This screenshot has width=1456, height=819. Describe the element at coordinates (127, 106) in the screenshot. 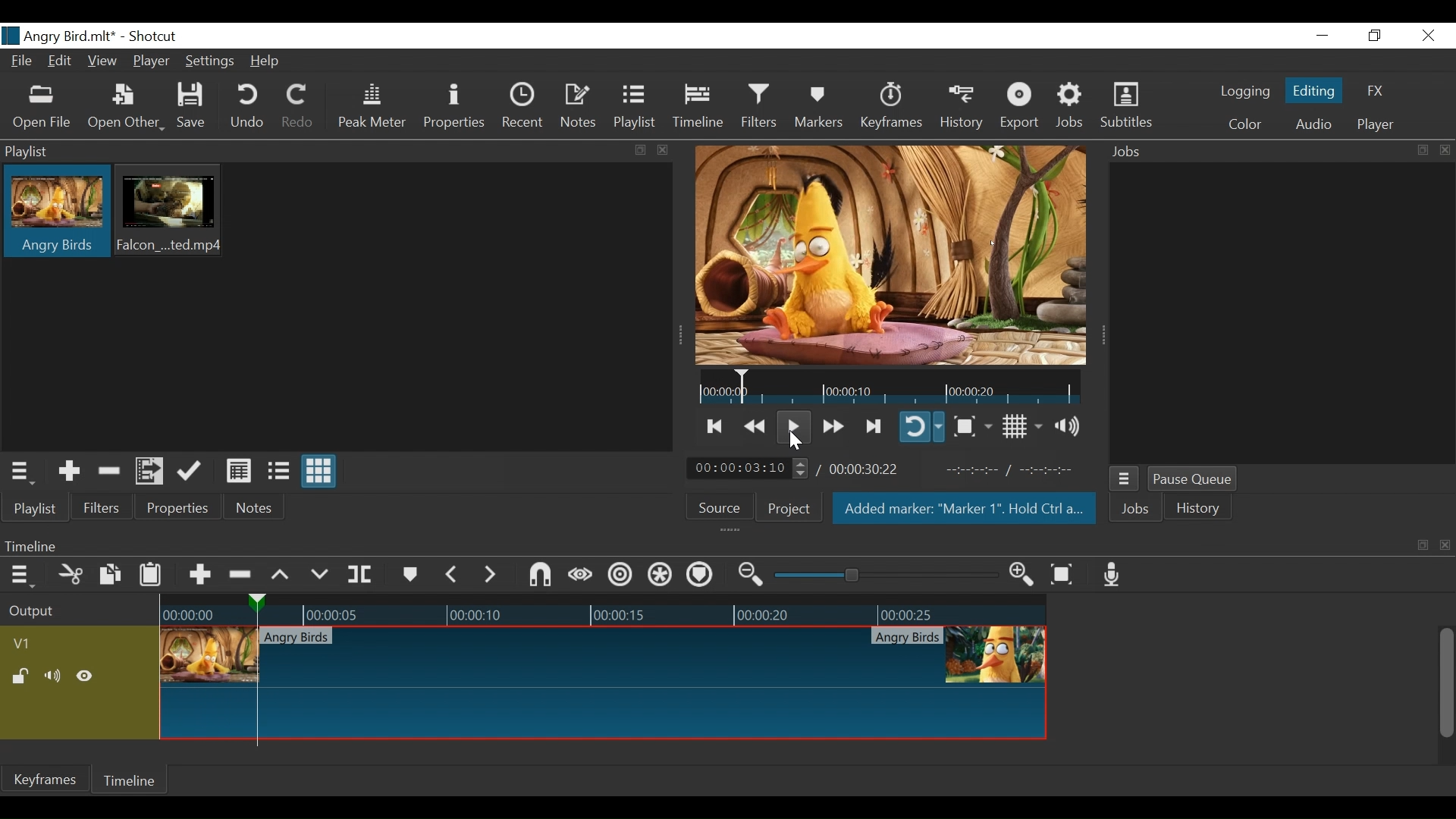

I see `Open Other` at that location.